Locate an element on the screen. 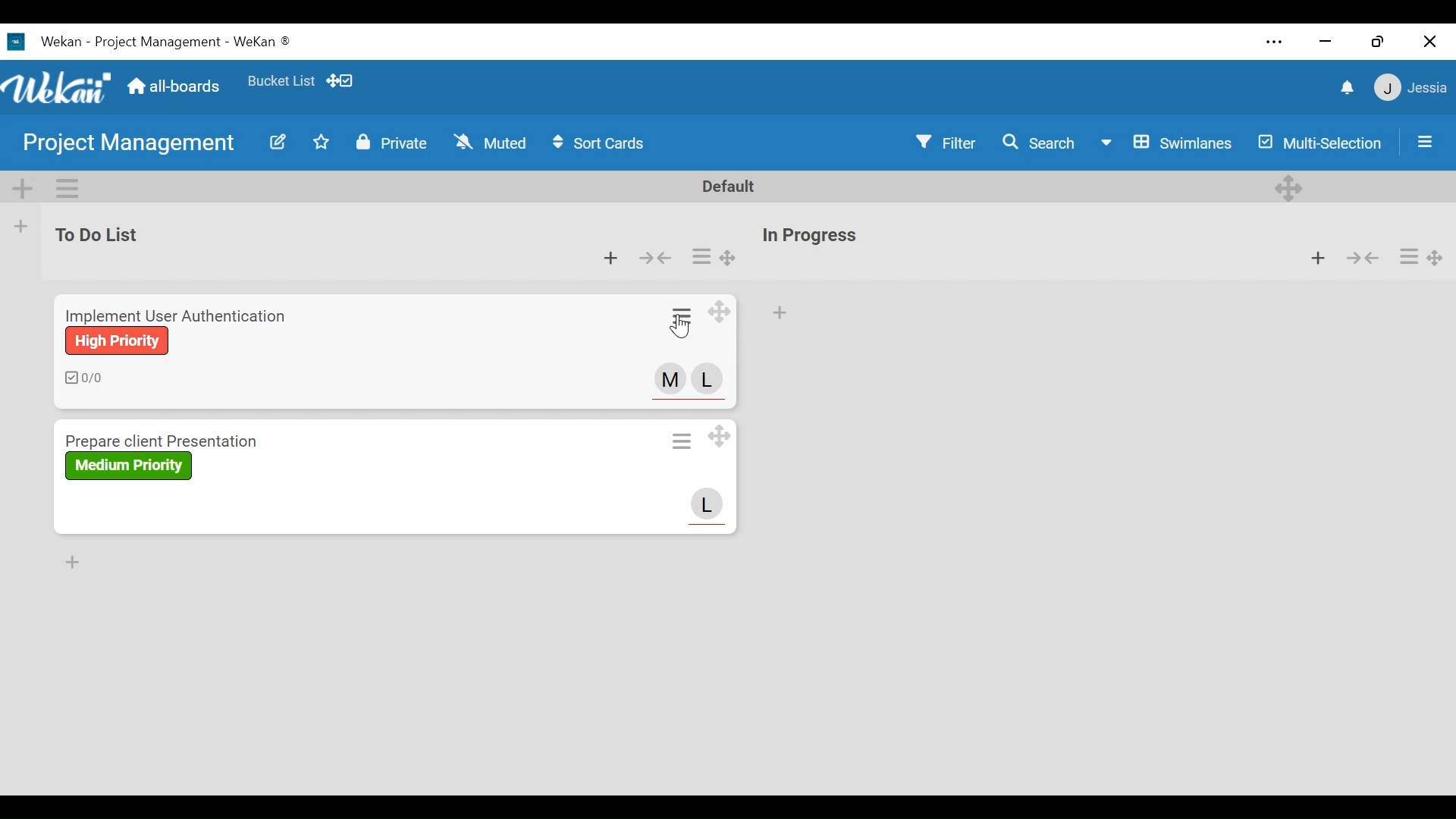 Image resolution: width=1456 pixels, height=819 pixels. Add card to the top of the list is located at coordinates (613, 259).